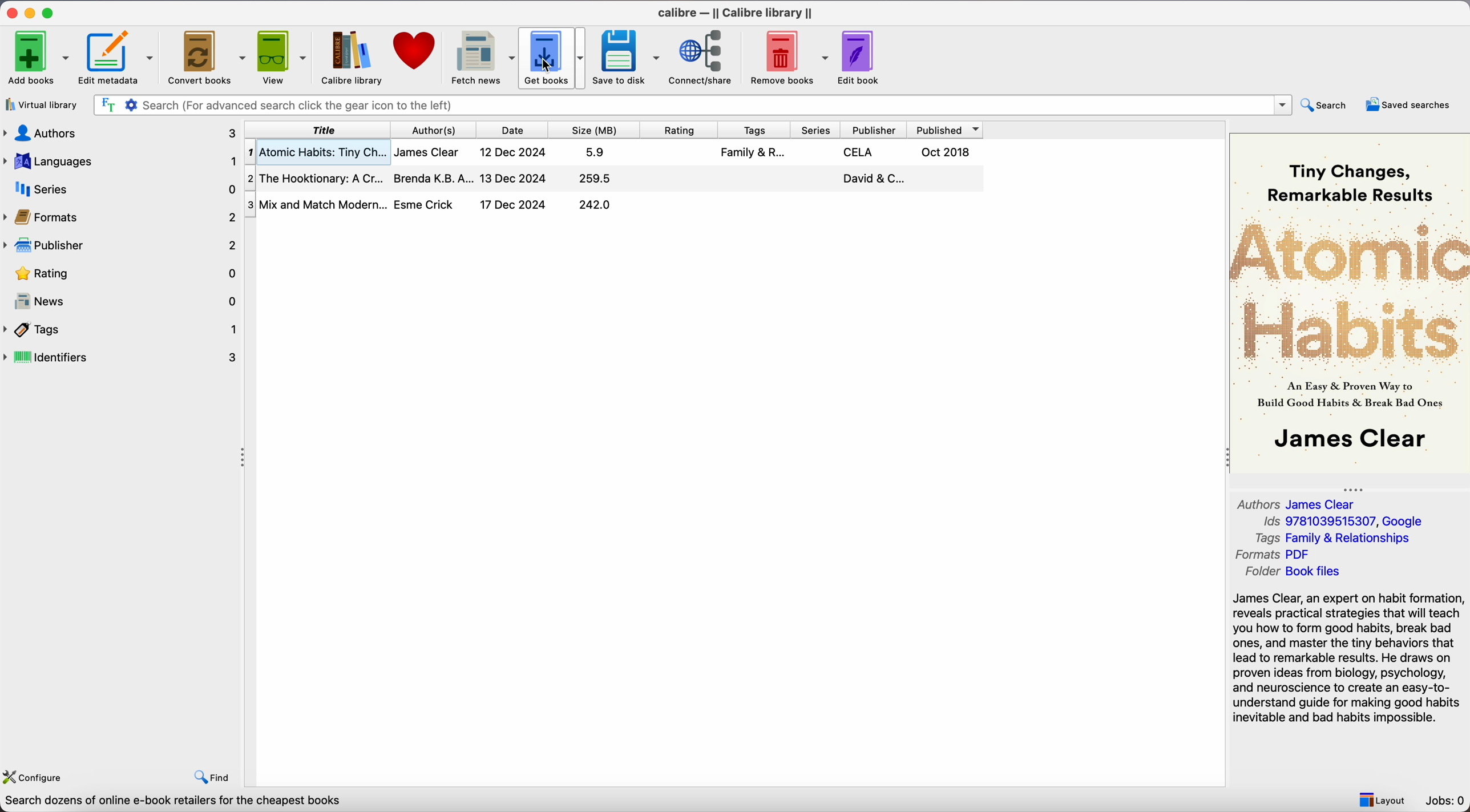  What do you see at coordinates (11, 12) in the screenshot?
I see `close app` at bounding box center [11, 12].